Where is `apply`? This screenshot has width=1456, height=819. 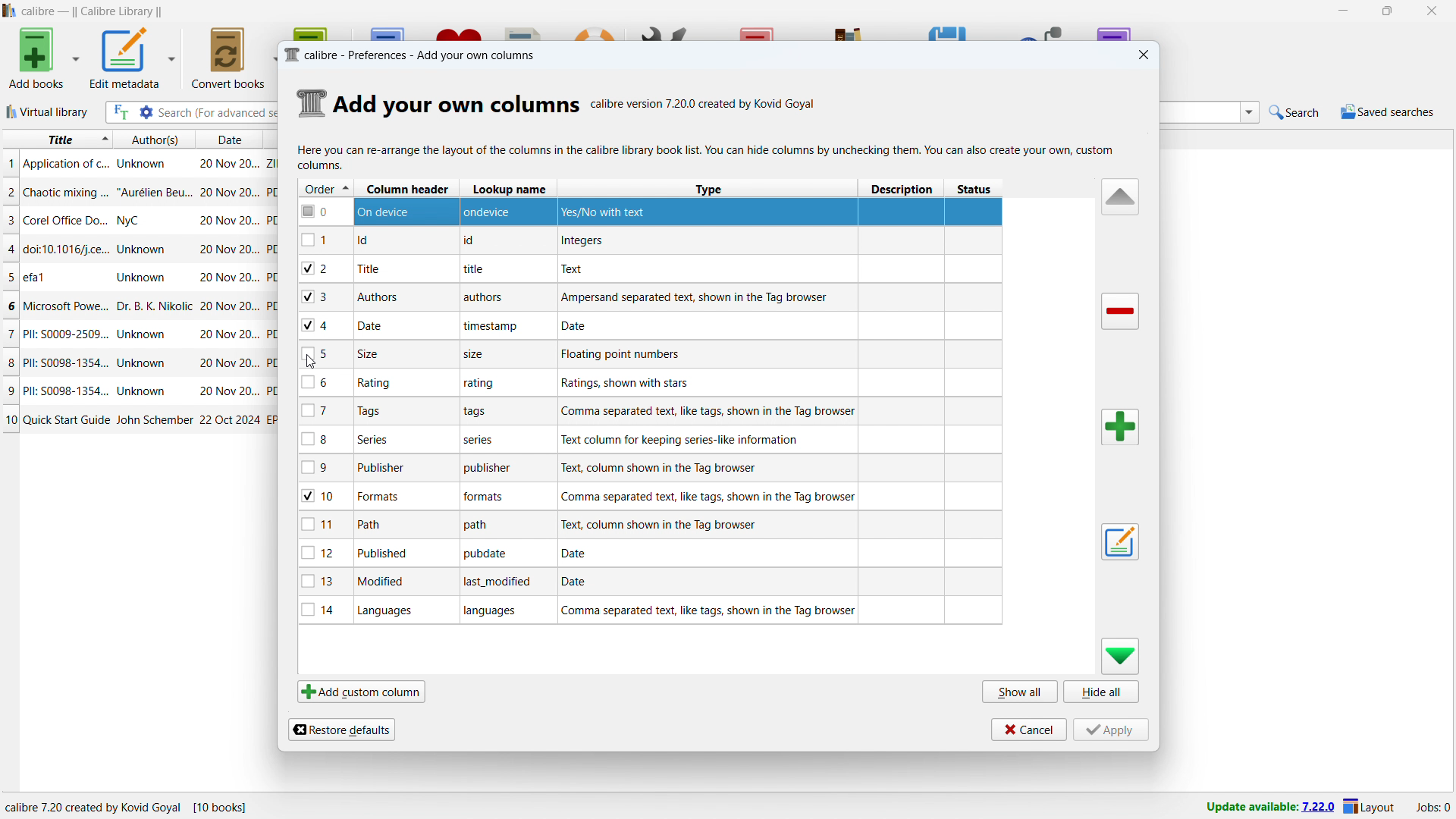 apply is located at coordinates (1110, 730).